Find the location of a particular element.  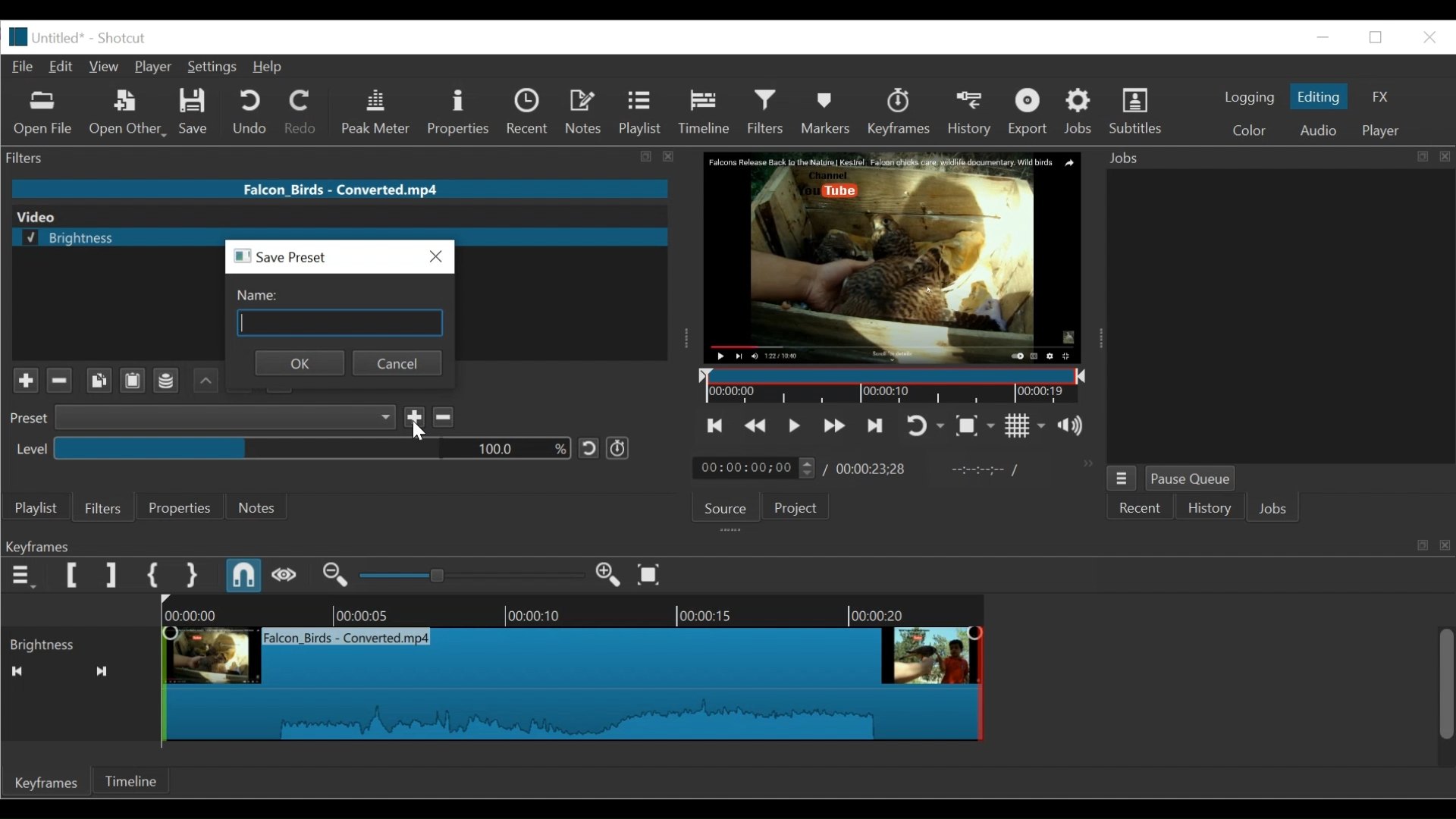

Skip to the next point is located at coordinates (872, 427).